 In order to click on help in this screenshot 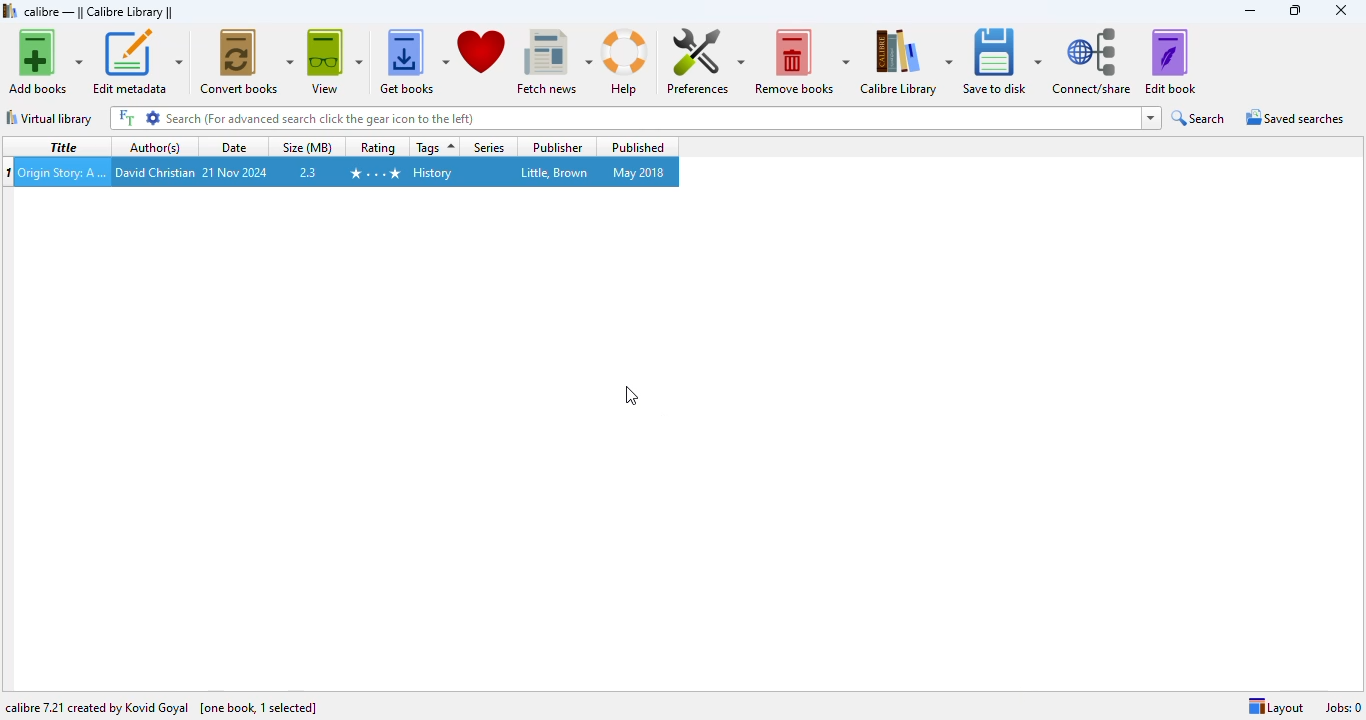, I will do `click(625, 61)`.